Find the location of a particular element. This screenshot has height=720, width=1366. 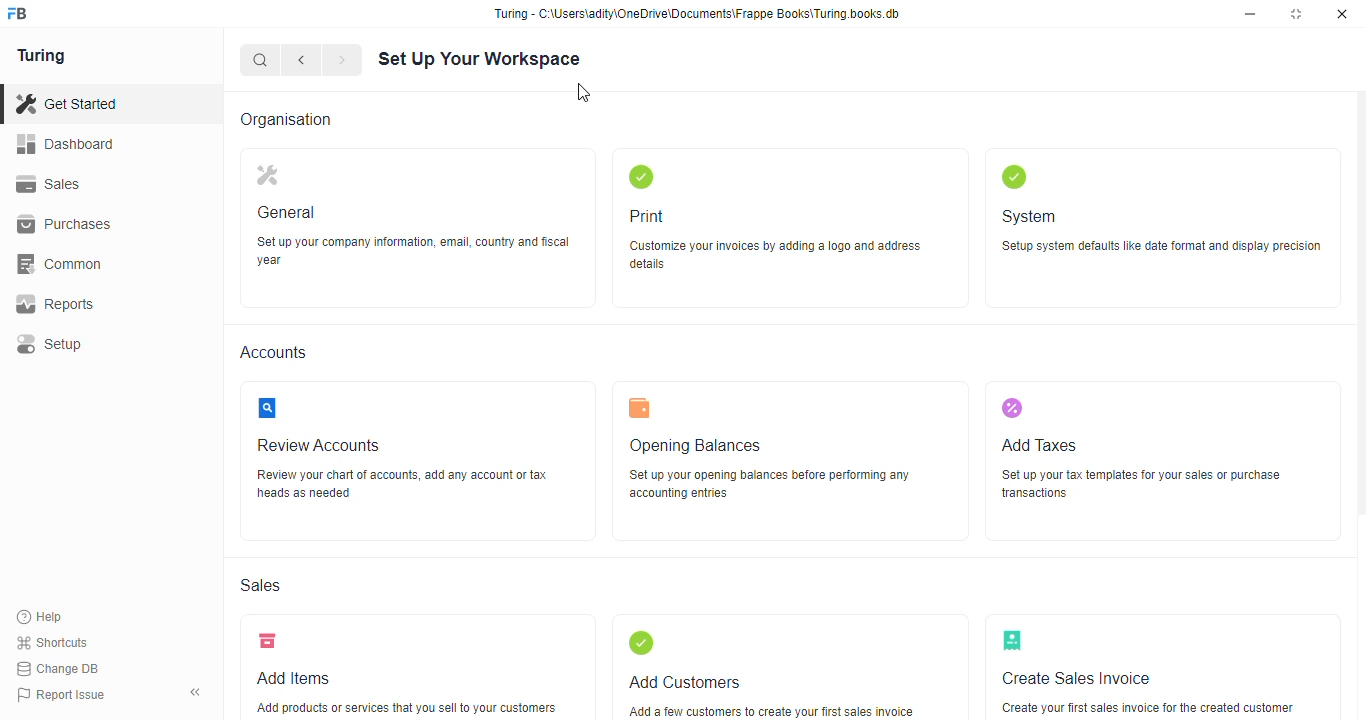

search  is located at coordinates (261, 59).